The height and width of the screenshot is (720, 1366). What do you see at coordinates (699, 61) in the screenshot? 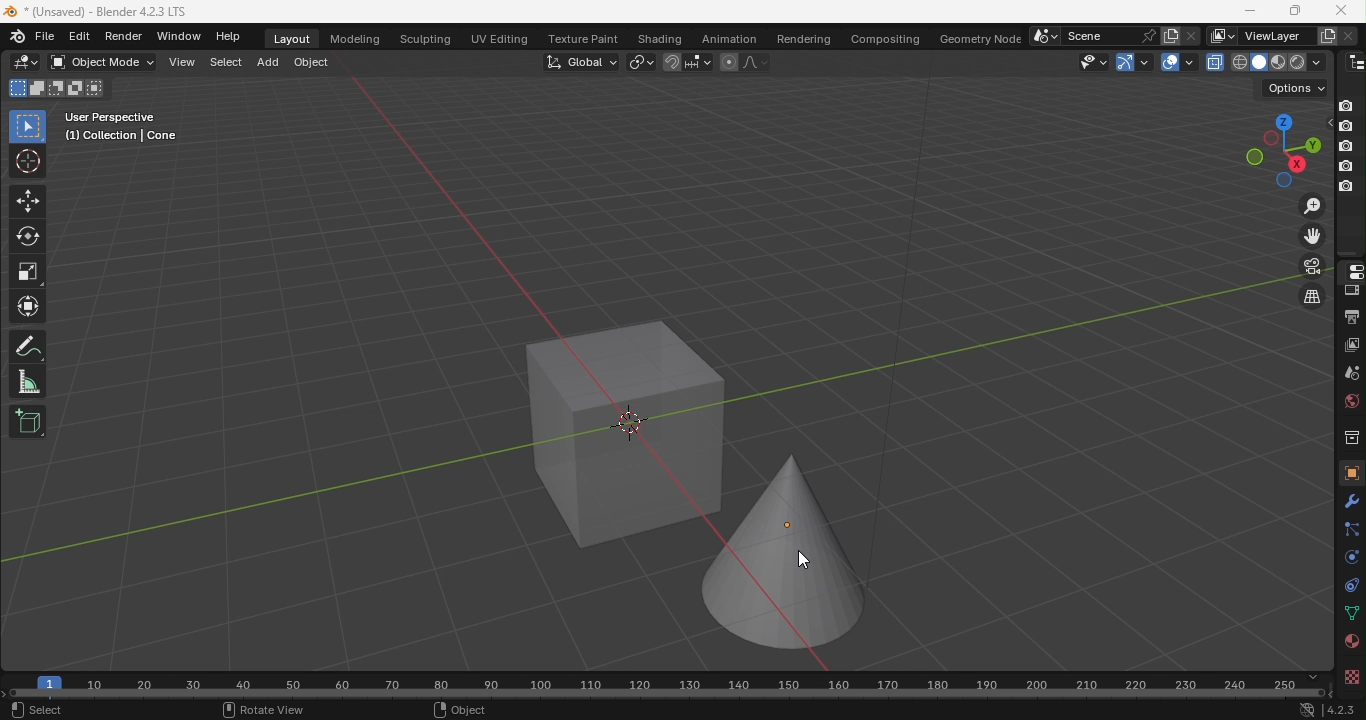
I see `Snapping` at bounding box center [699, 61].